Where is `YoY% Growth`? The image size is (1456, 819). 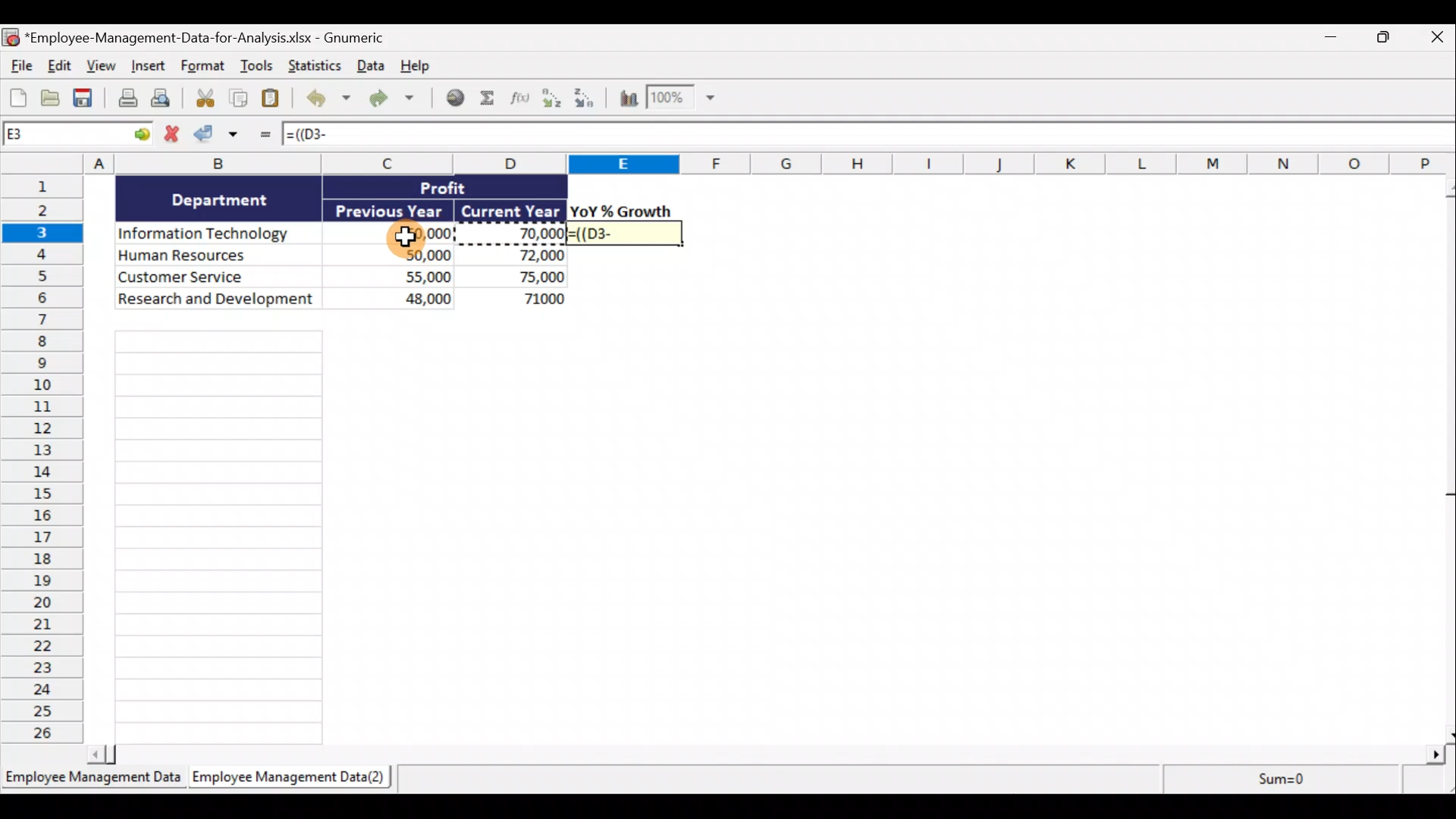 YoY% Growth is located at coordinates (622, 211).